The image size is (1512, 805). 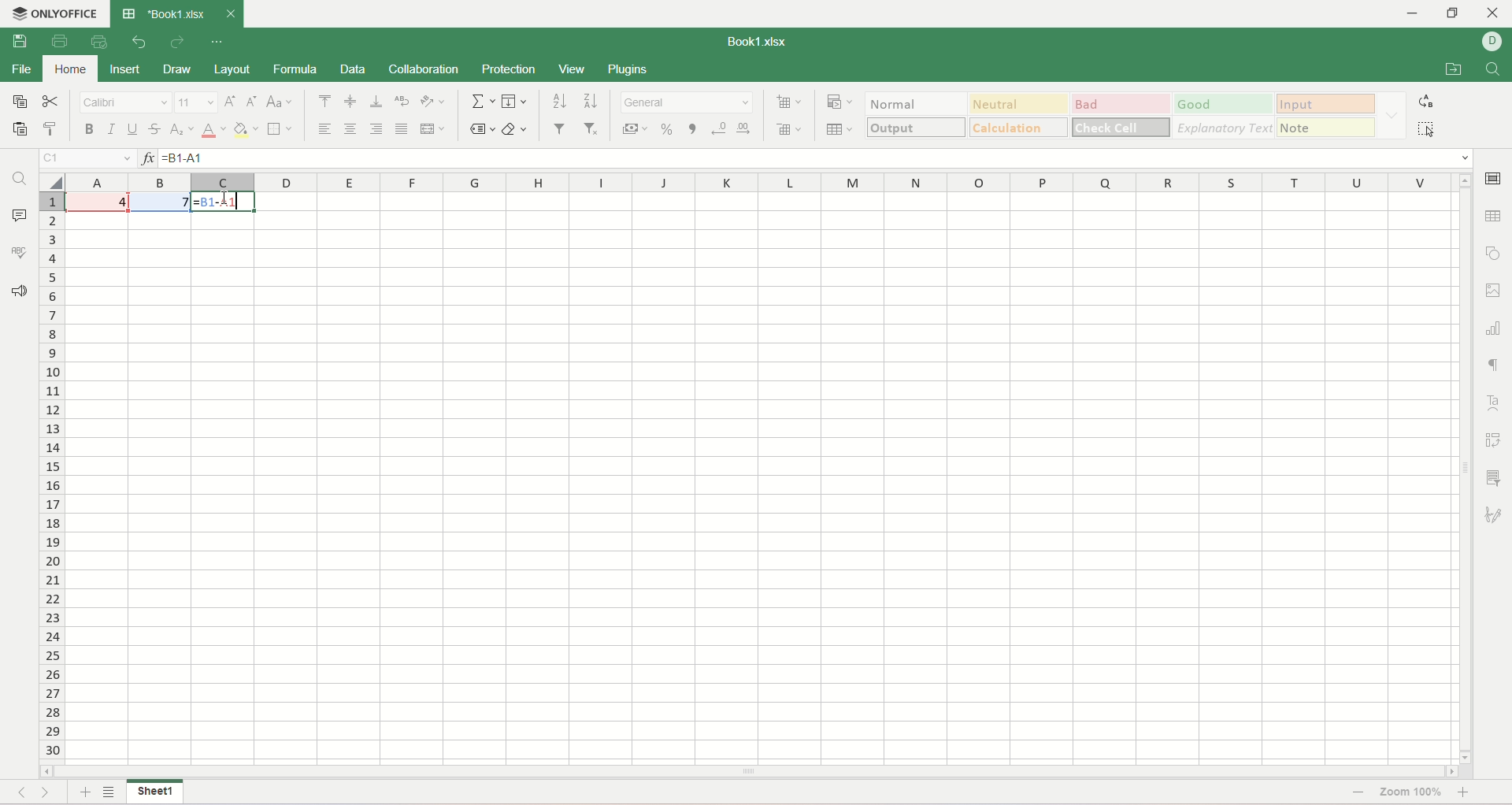 What do you see at coordinates (325, 102) in the screenshot?
I see `align top` at bounding box center [325, 102].